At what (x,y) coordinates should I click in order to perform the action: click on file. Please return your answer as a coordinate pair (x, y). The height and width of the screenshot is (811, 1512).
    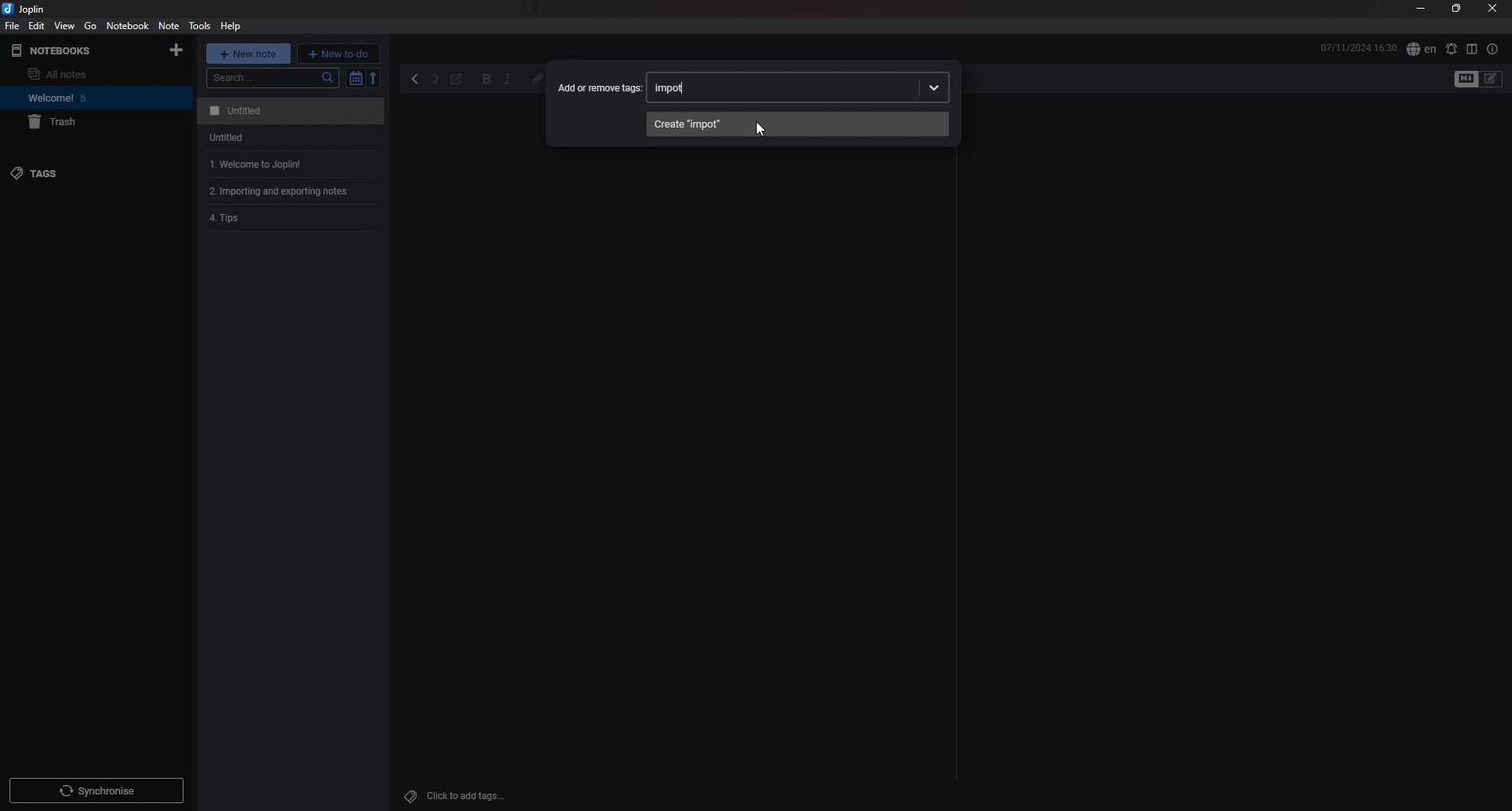
    Looking at the image, I should click on (13, 26).